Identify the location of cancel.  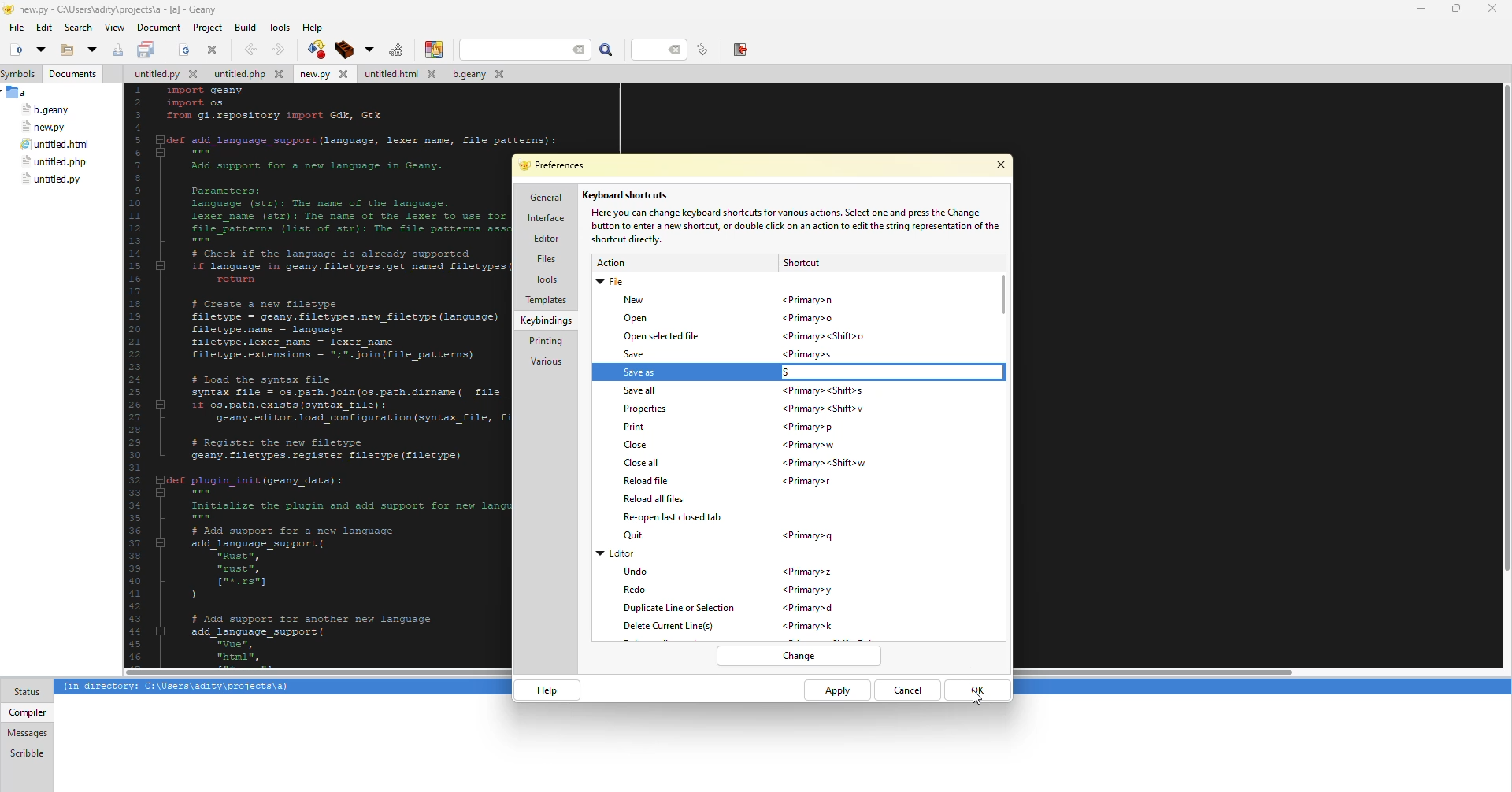
(908, 690).